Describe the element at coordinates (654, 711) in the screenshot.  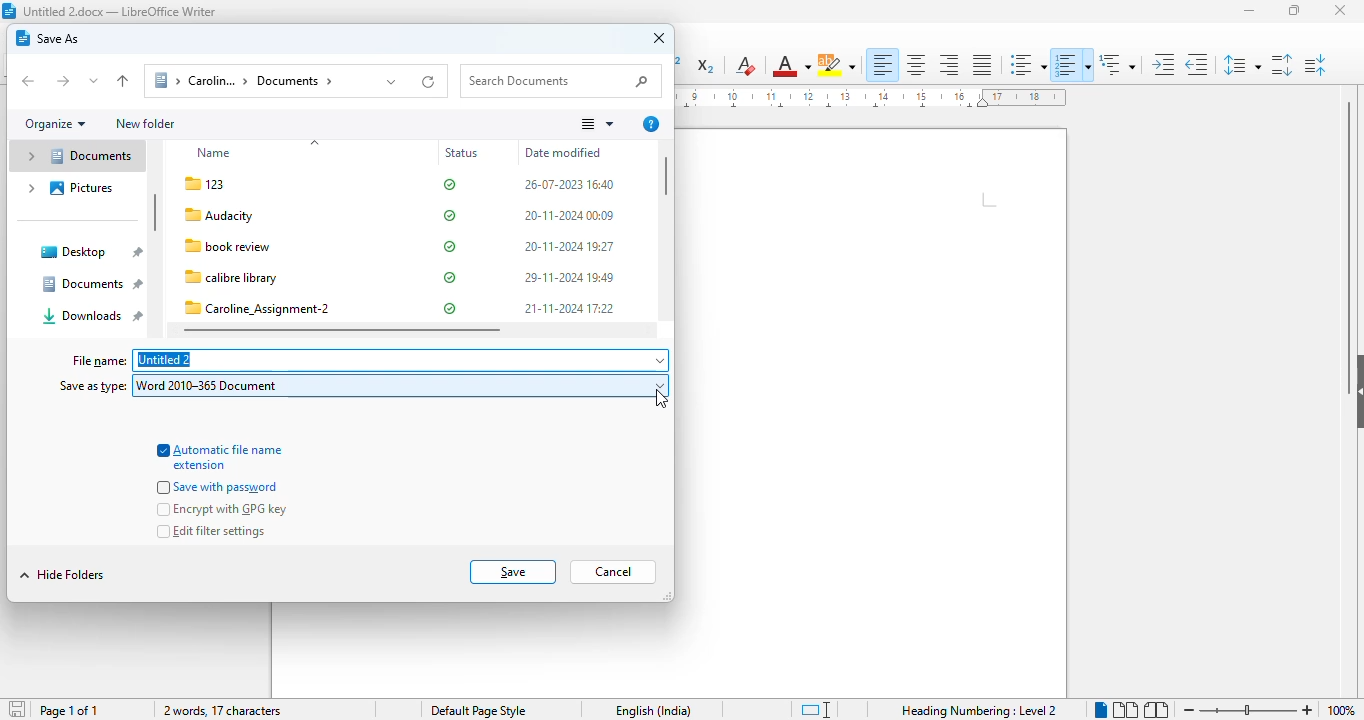
I see `text language` at that location.